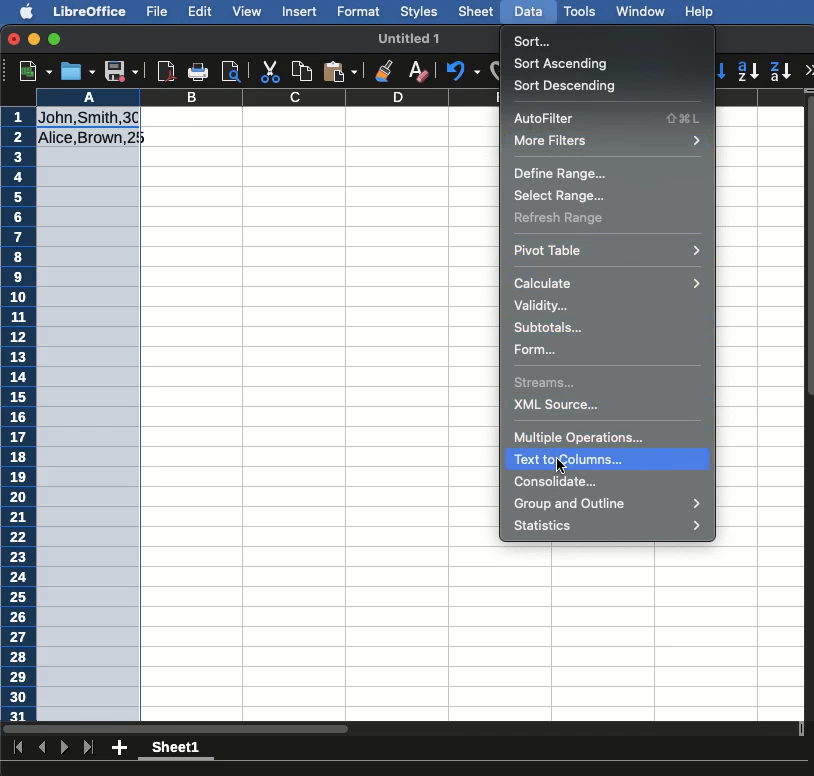 This screenshot has width=814, height=776. I want to click on Format, so click(360, 13).